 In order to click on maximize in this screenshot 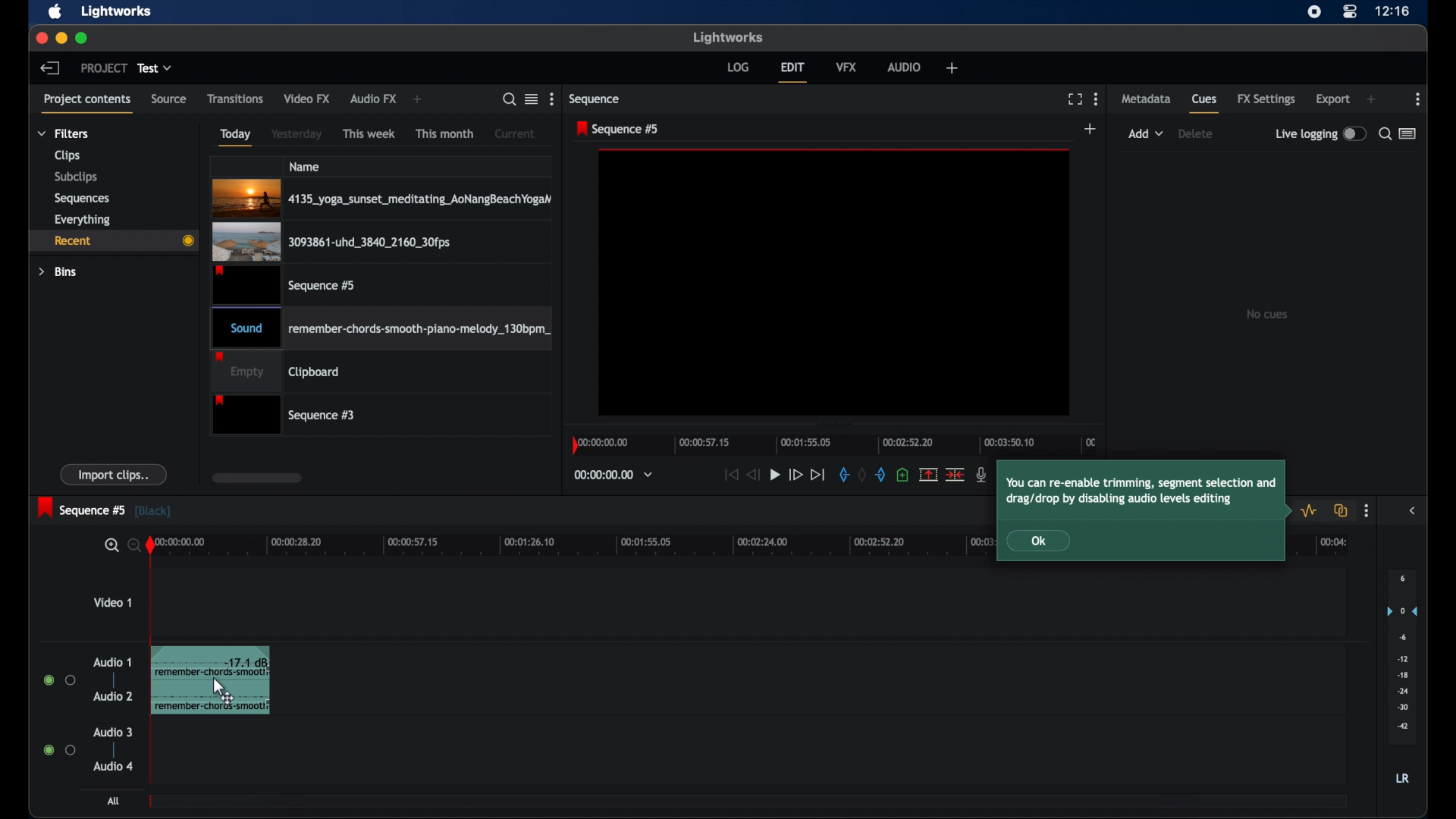, I will do `click(83, 38)`.